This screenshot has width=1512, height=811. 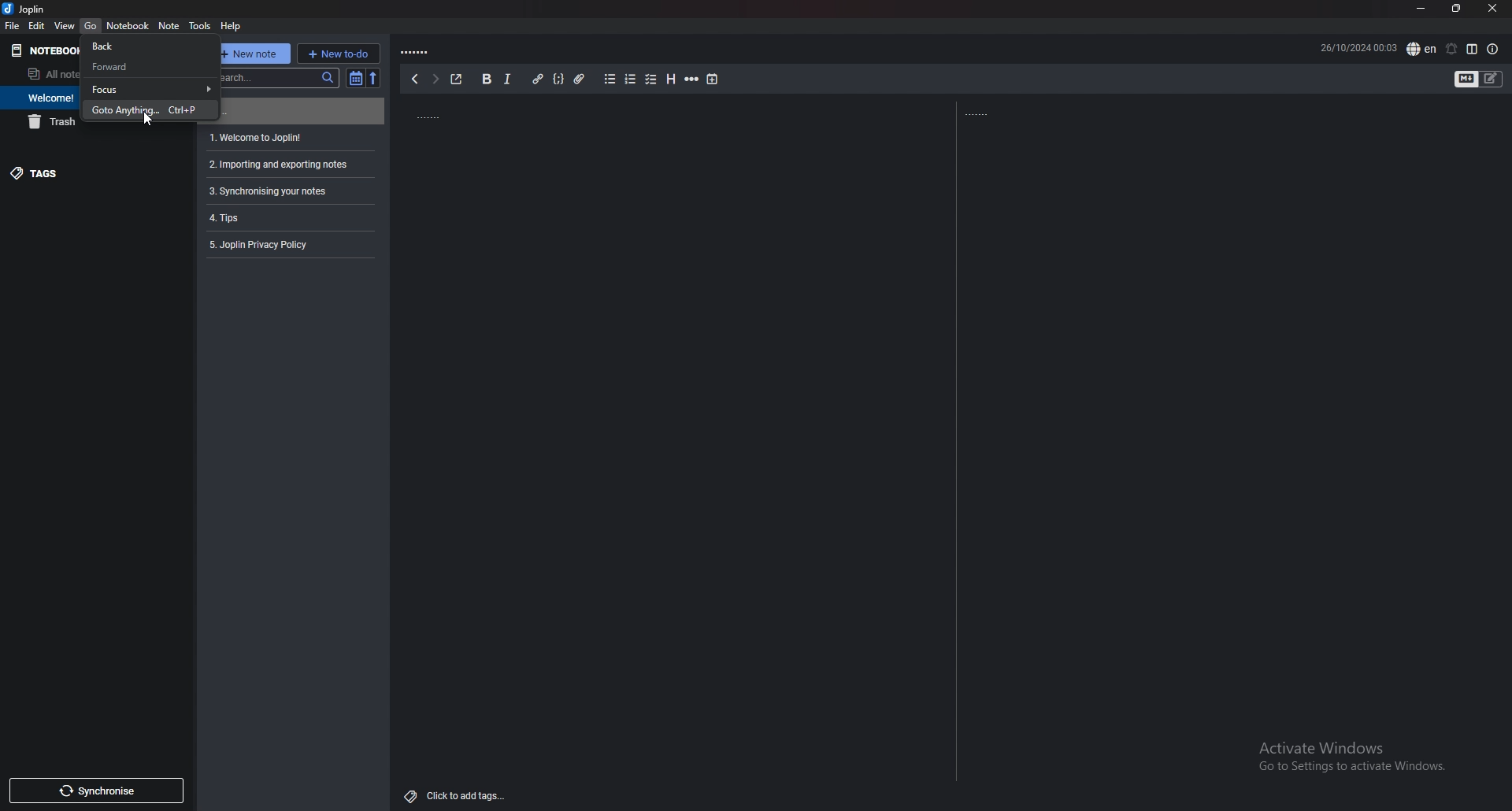 I want to click on go, so click(x=91, y=25).